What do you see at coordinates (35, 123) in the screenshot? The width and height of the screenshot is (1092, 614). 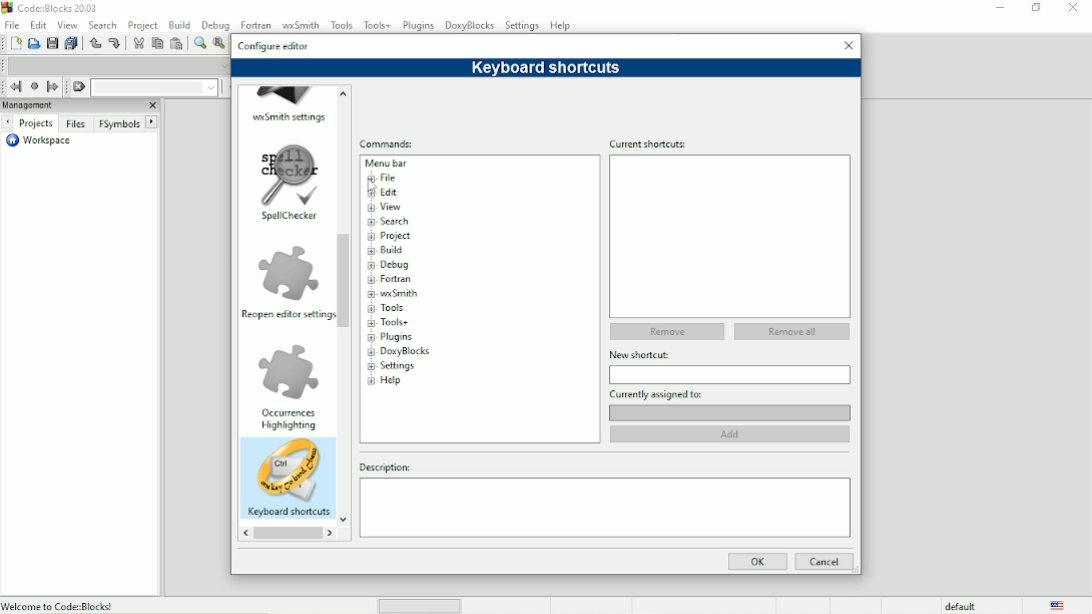 I see `Projects` at bounding box center [35, 123].